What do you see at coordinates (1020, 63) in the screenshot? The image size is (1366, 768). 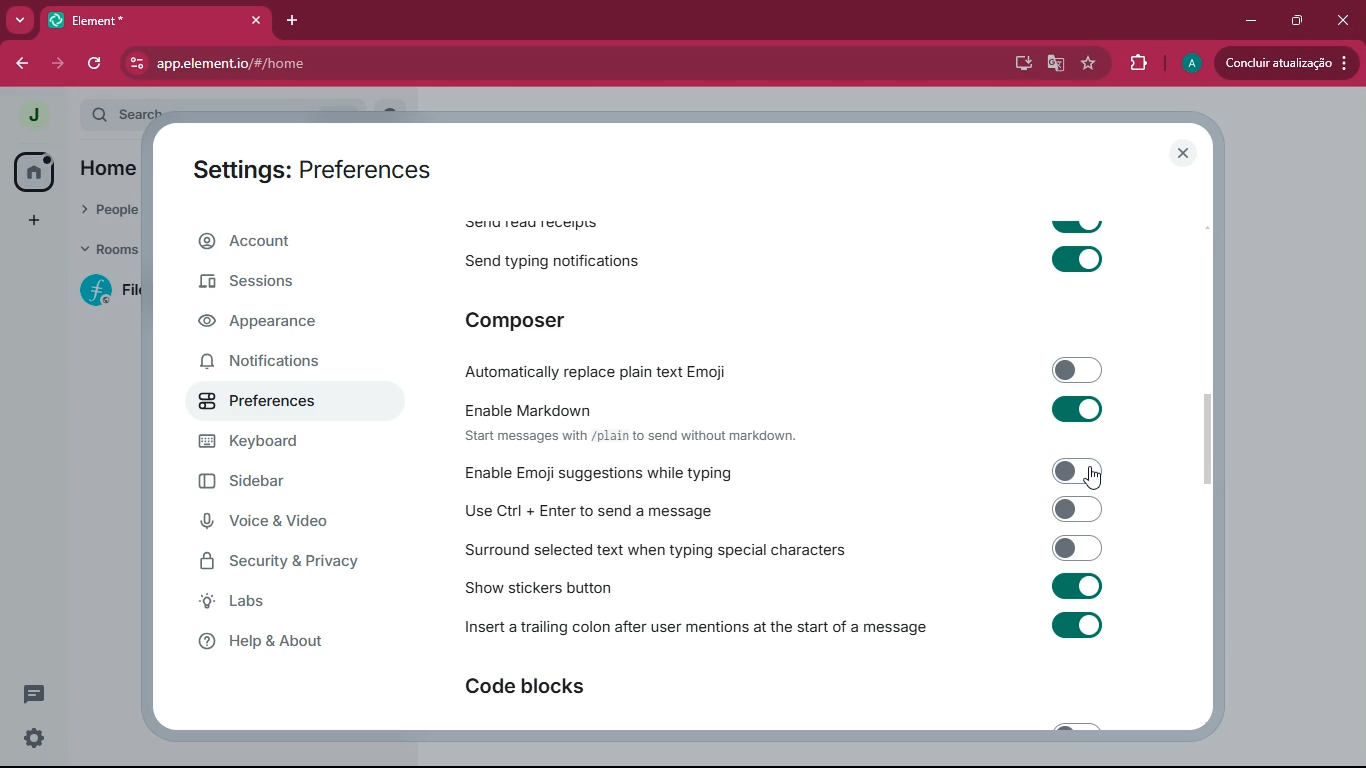 I see `desktop` at bounding box center [1020, 63].